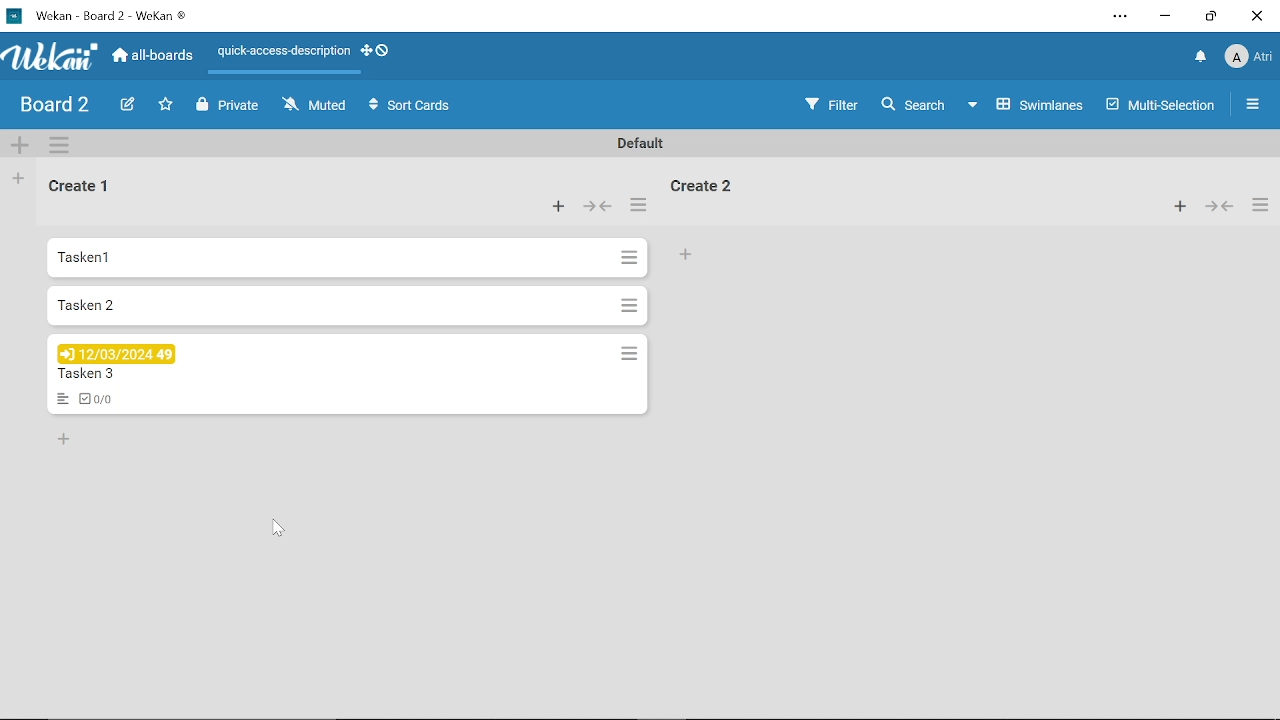 Image resolution: width=1280 pixels, height=720 pixels. What do you see at coordinates (225, 104) in the screenshot?
I see `Private` at bounding box center [225, 104].